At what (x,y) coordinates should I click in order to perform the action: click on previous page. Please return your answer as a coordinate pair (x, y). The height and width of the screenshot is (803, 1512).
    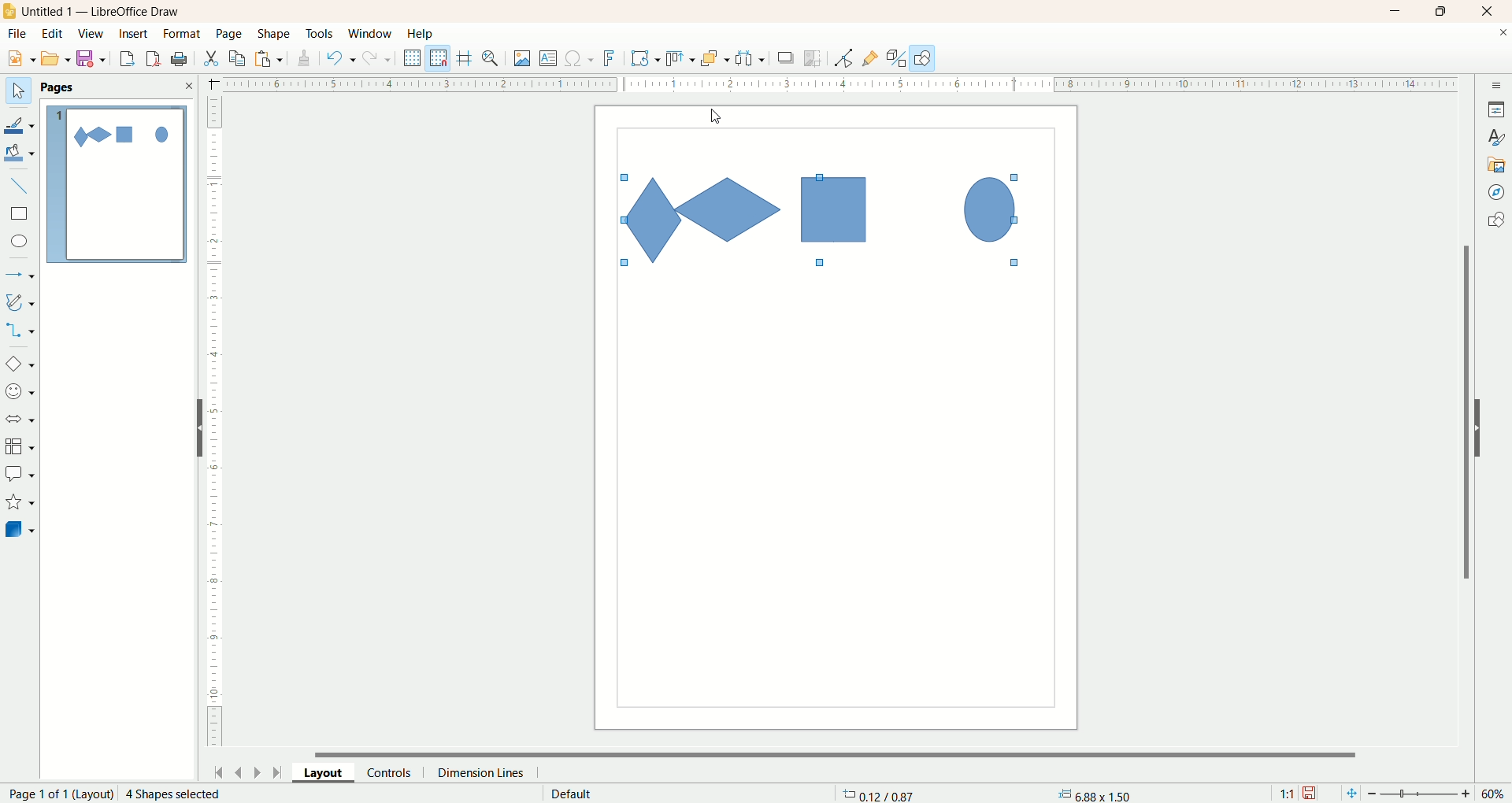
    Looking at the image, I should click on (237, 771).